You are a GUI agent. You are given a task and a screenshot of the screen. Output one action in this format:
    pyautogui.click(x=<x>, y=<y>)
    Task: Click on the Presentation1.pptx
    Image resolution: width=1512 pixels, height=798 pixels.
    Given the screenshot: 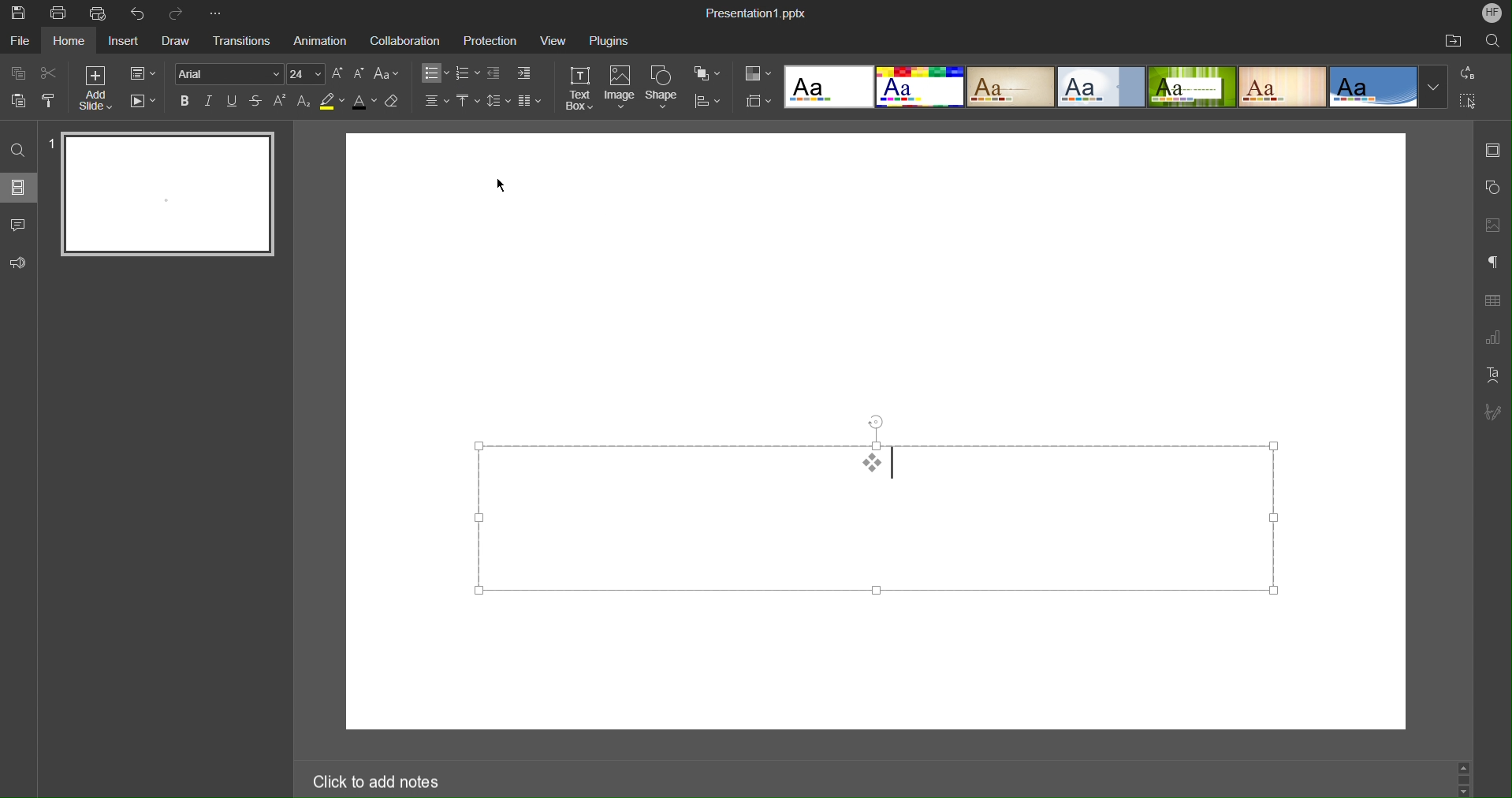 What is the action you would take?
    pyautogui.click(x=755, y=11)
    